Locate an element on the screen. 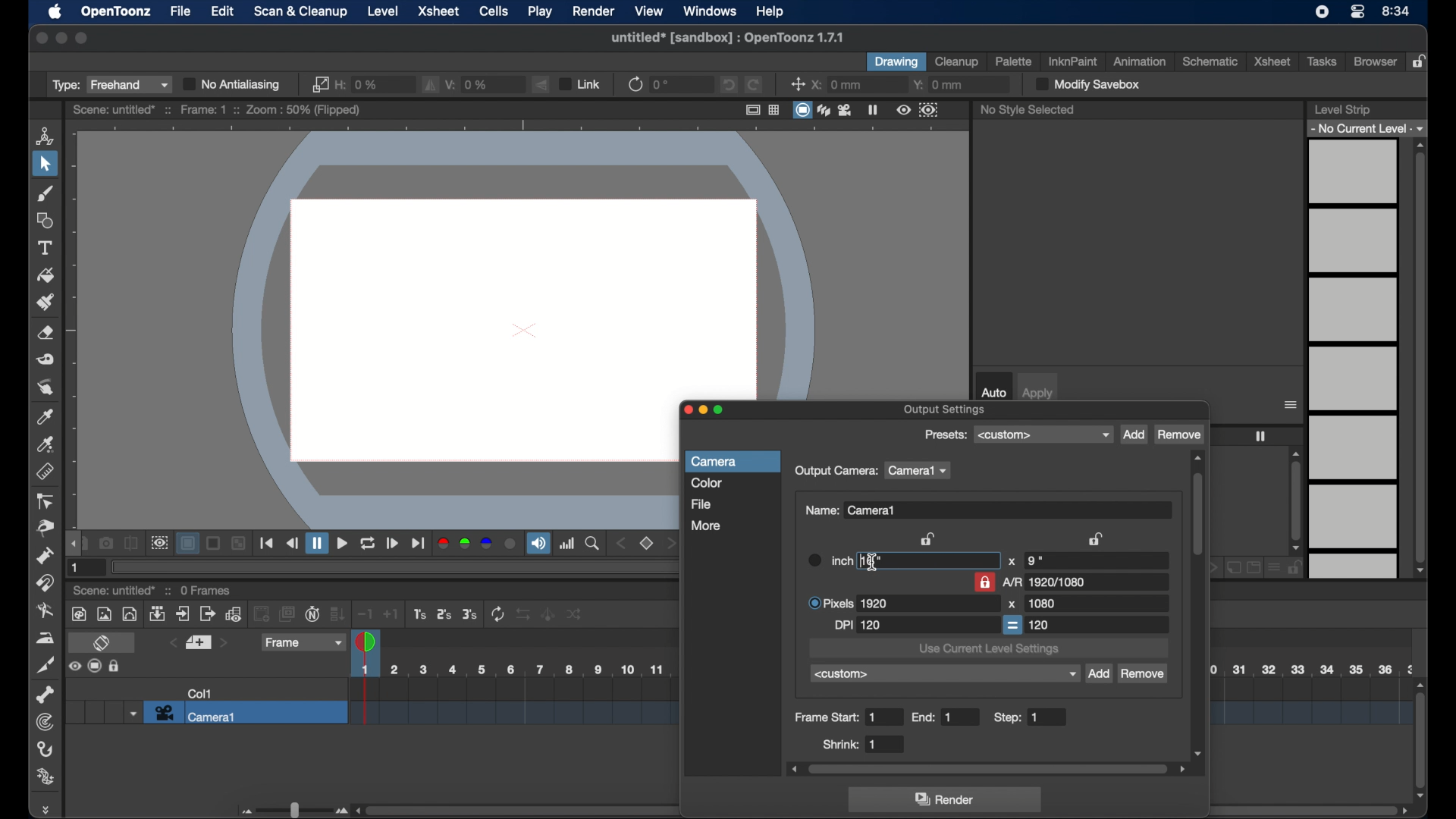 The width and height of the screenshot is (1456, 819). camera is located at coordinates (717, 462).